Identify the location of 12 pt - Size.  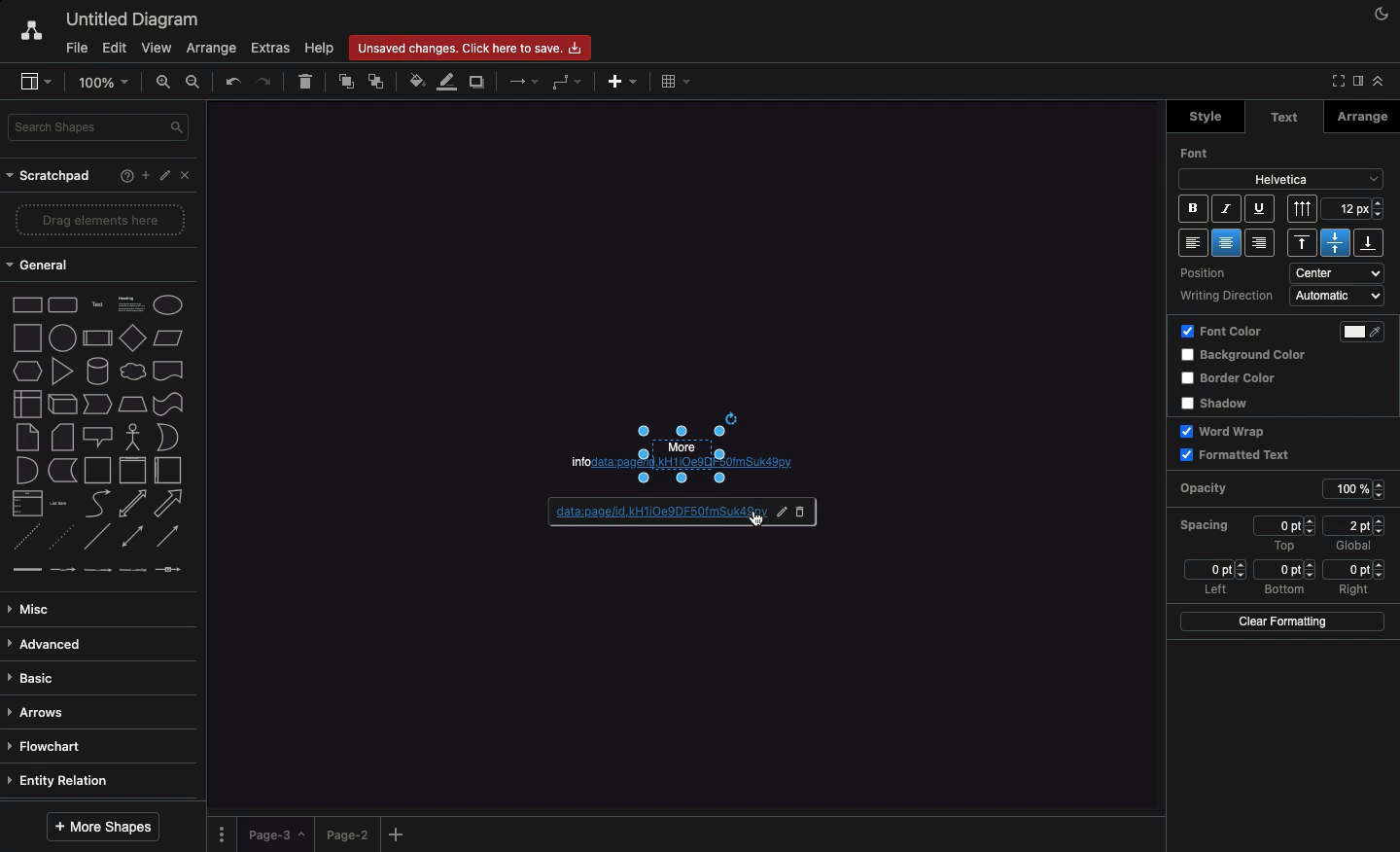
(1355, 208).